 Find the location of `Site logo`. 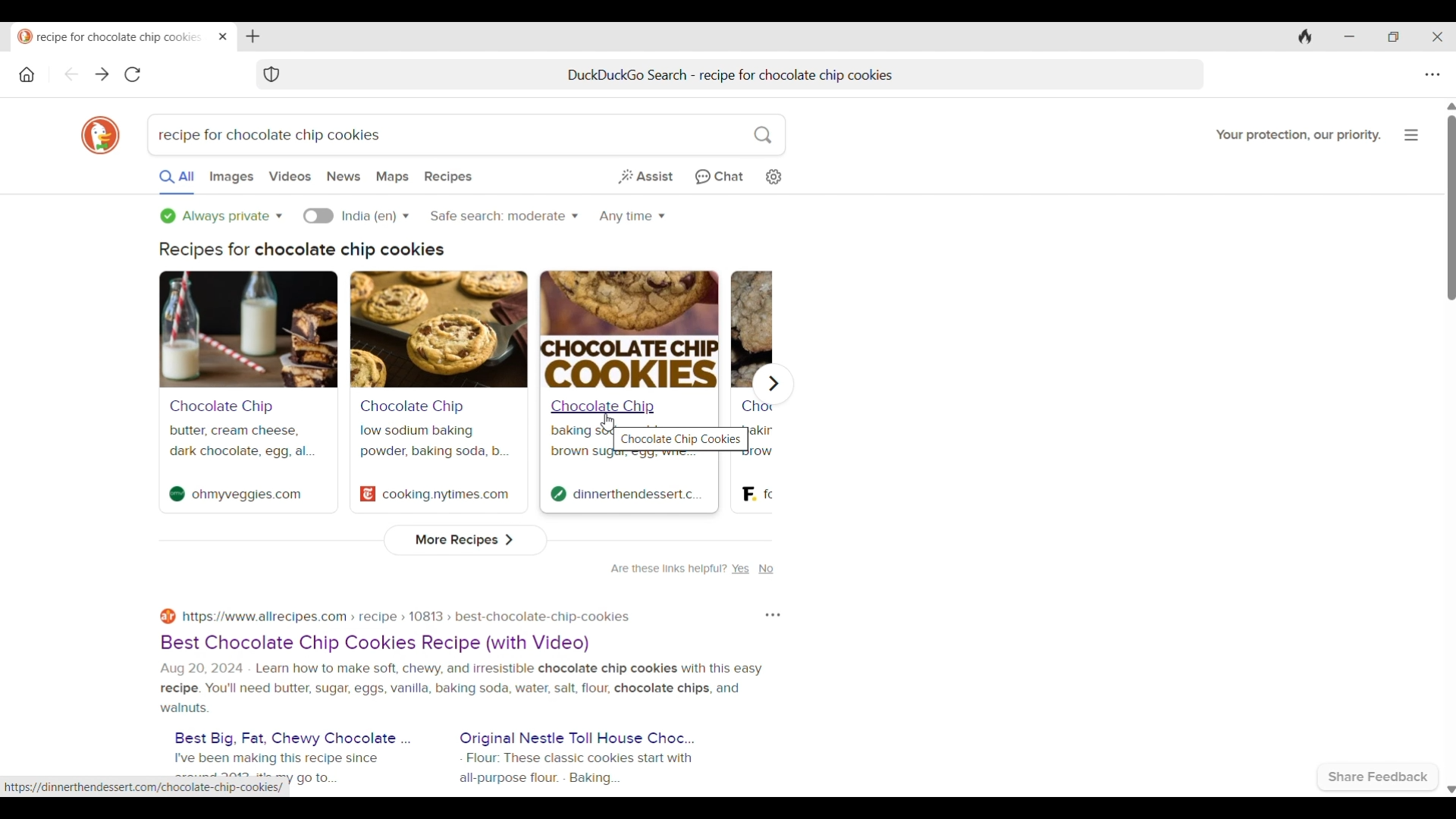

Site logo is located at coordinates (369, 494).